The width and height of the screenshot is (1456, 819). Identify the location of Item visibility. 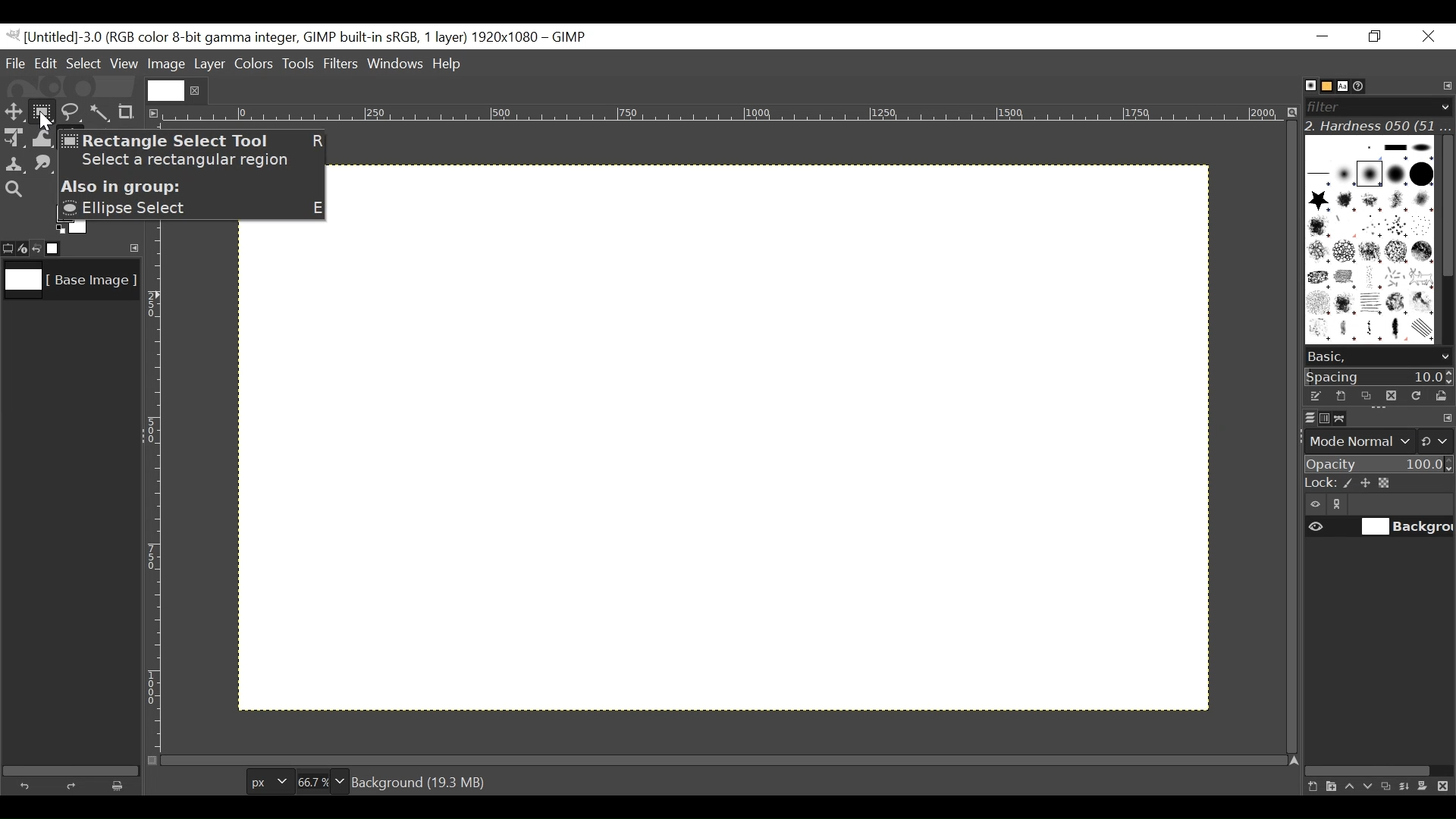
(1316, 505).